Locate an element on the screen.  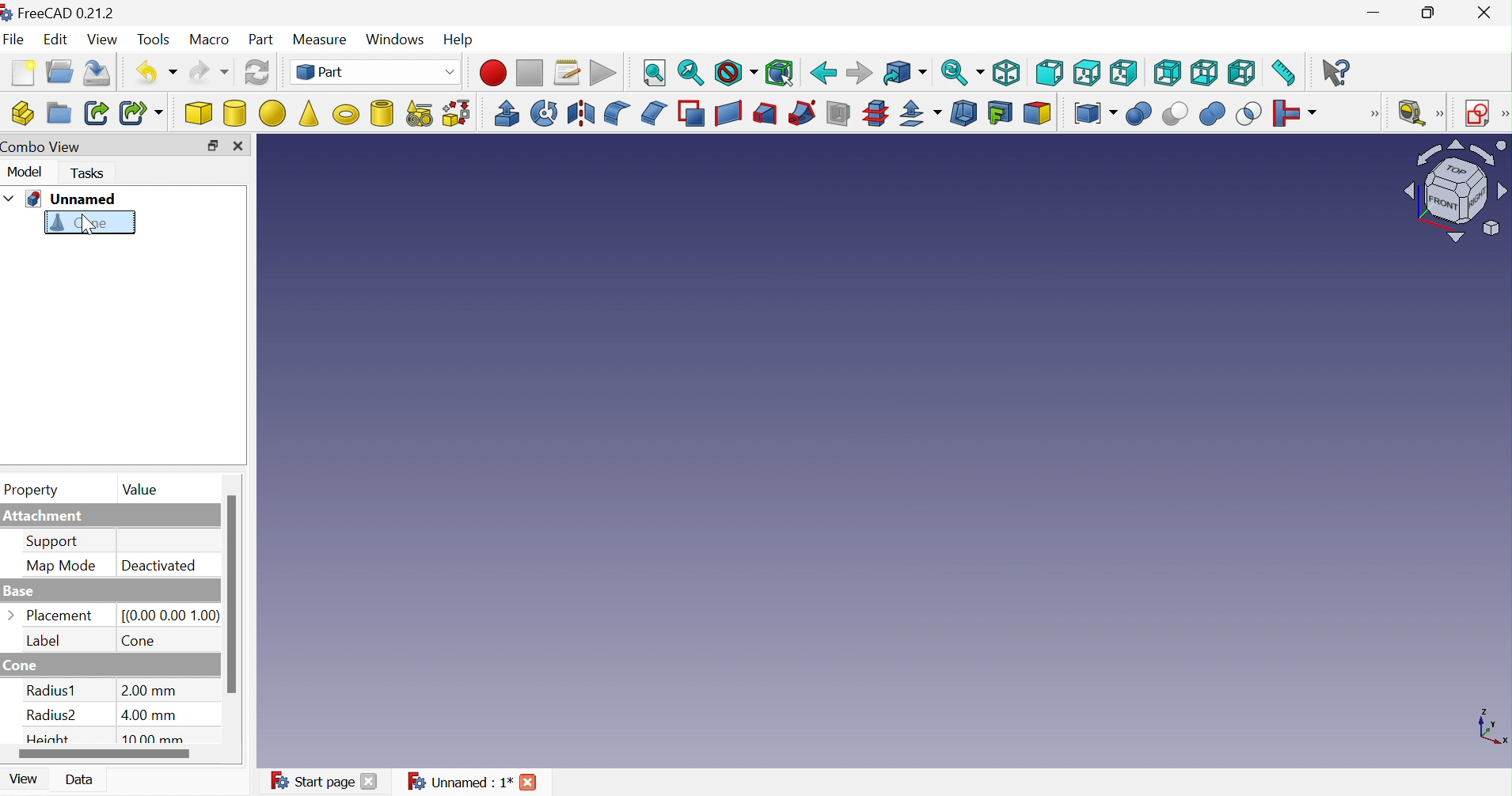
Macro is located at coordinates (211, 40).